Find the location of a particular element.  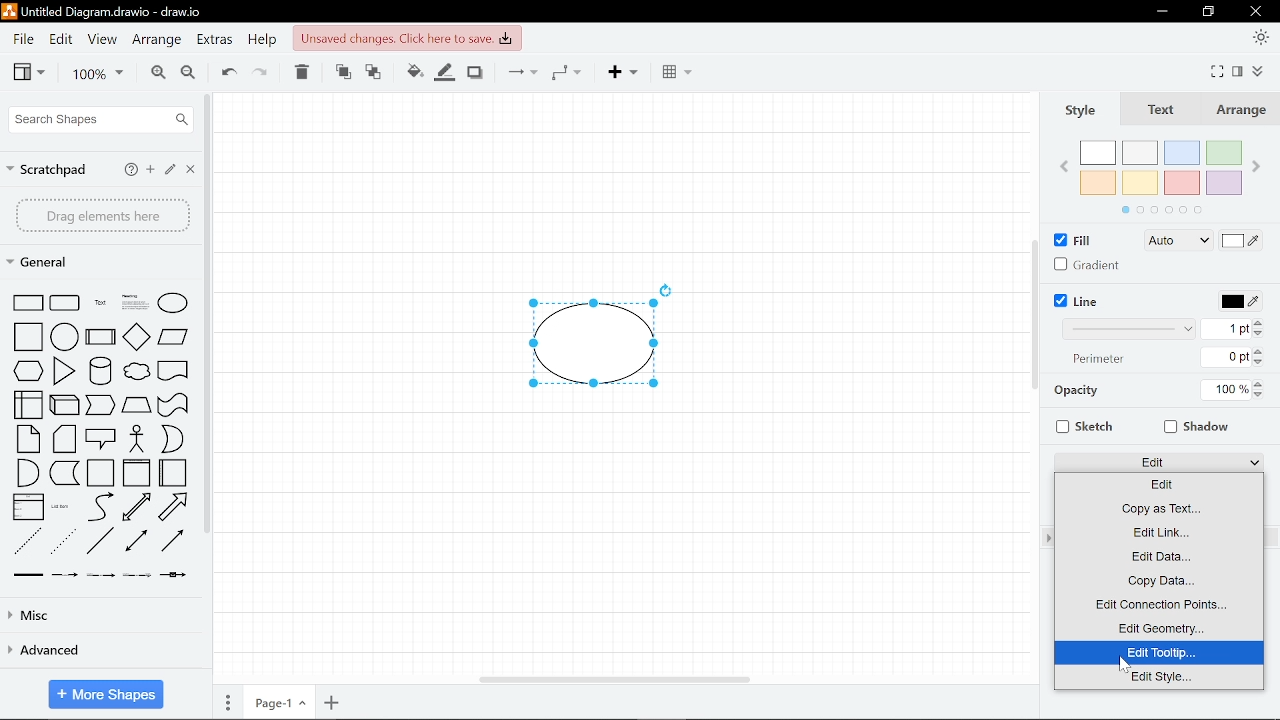

Appearence is located at coordinates (1262, 39).